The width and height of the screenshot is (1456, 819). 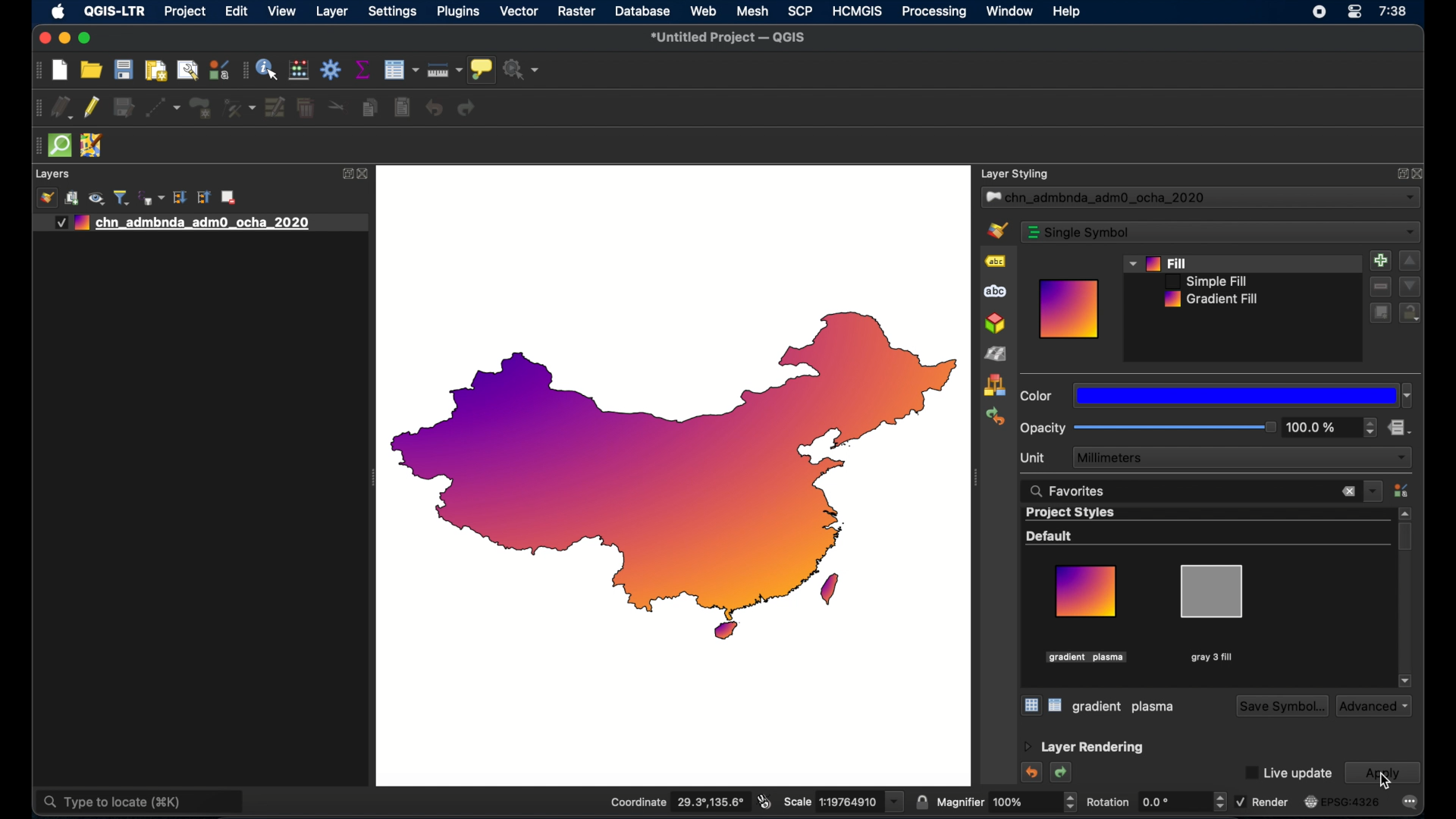 What do you see at coordinates (1242, 396) in the screenshot?
I see `dropdown` at bounding box center [1242, 396].